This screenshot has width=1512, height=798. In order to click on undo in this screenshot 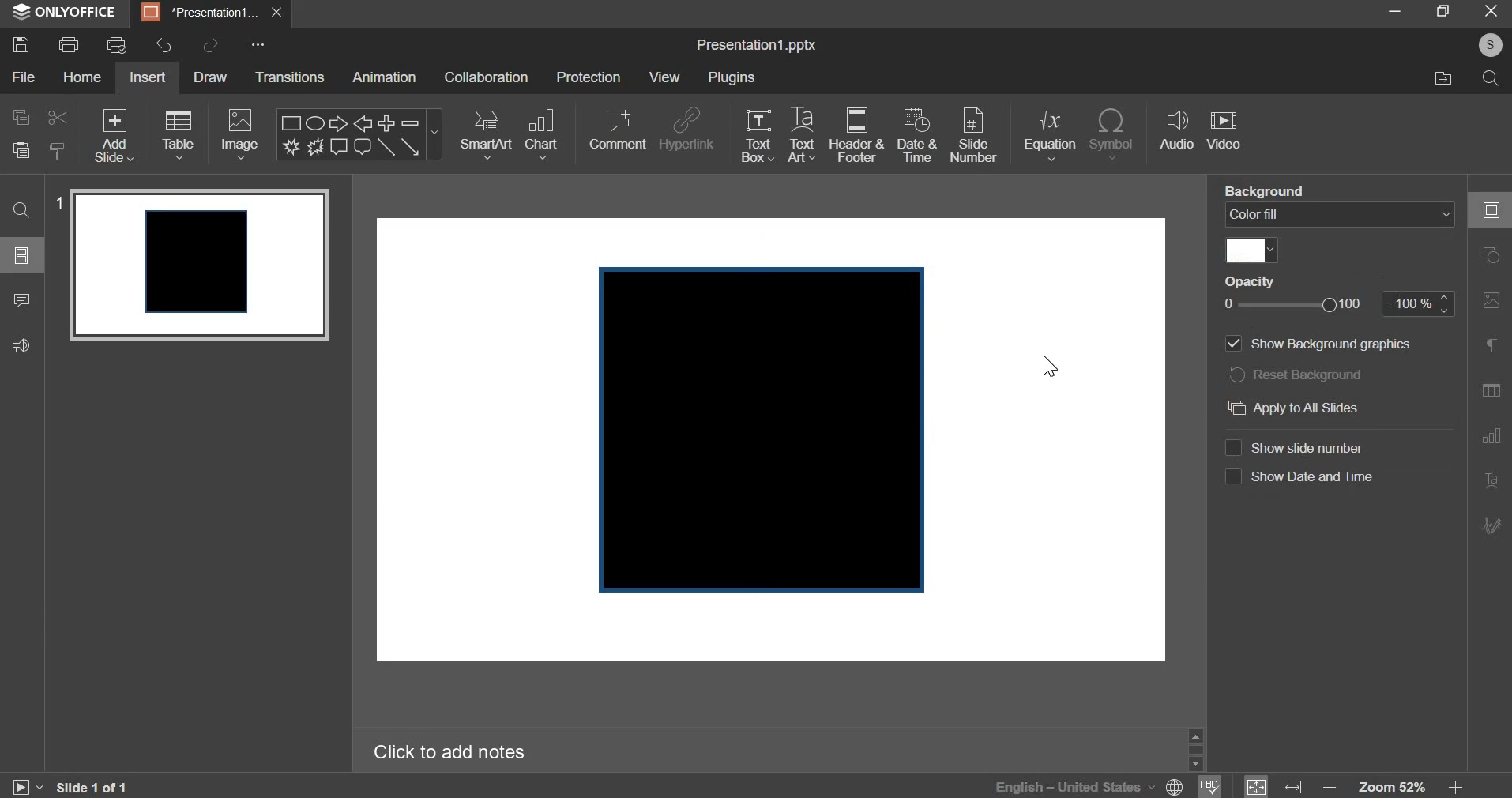, I will do `click(164, 46)`.